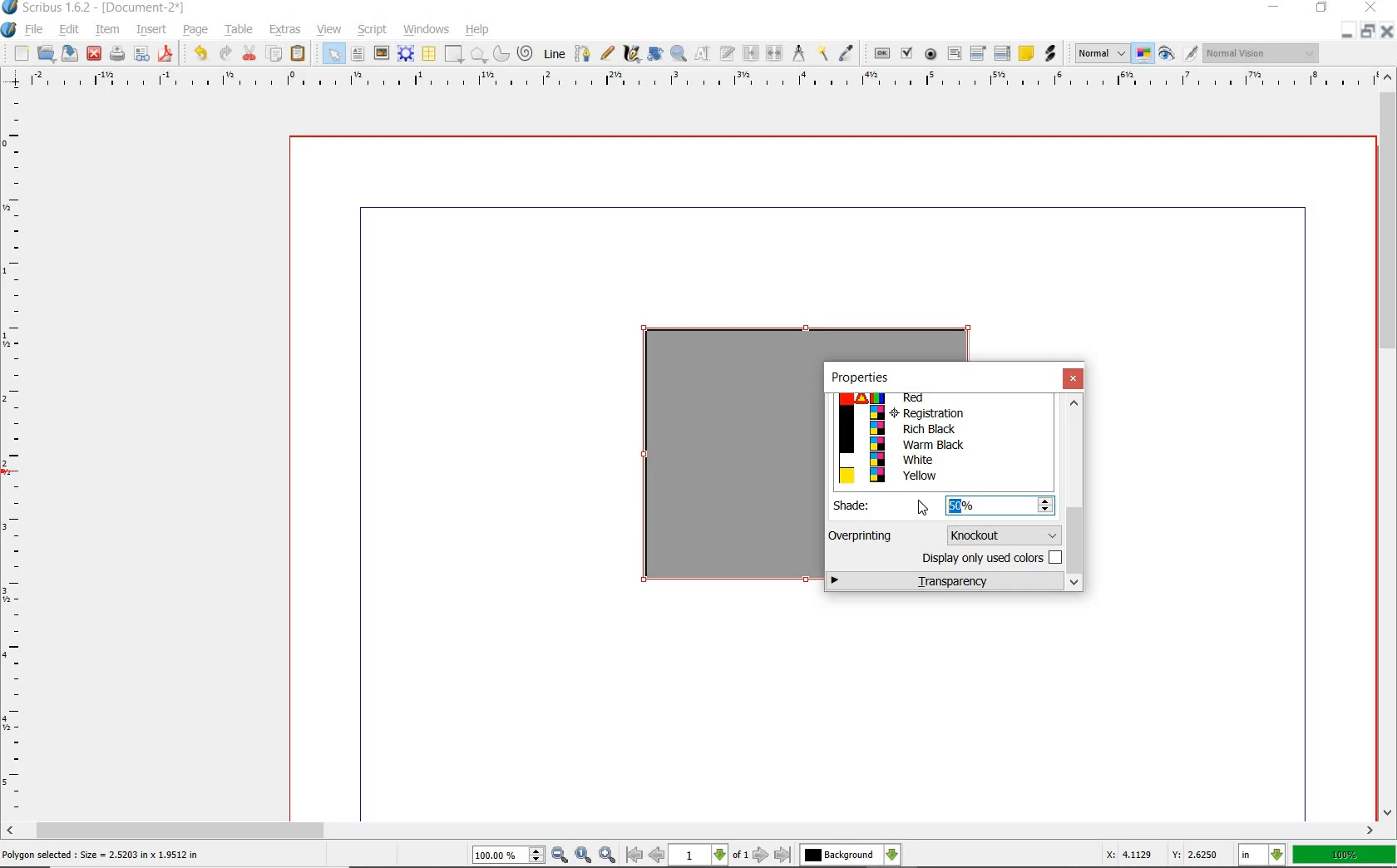 This screenshot has height=868, width=1397. What do you see at coordinates (286, 29) in the screenshot?
I see `extras` at bounding box center [286, 29].